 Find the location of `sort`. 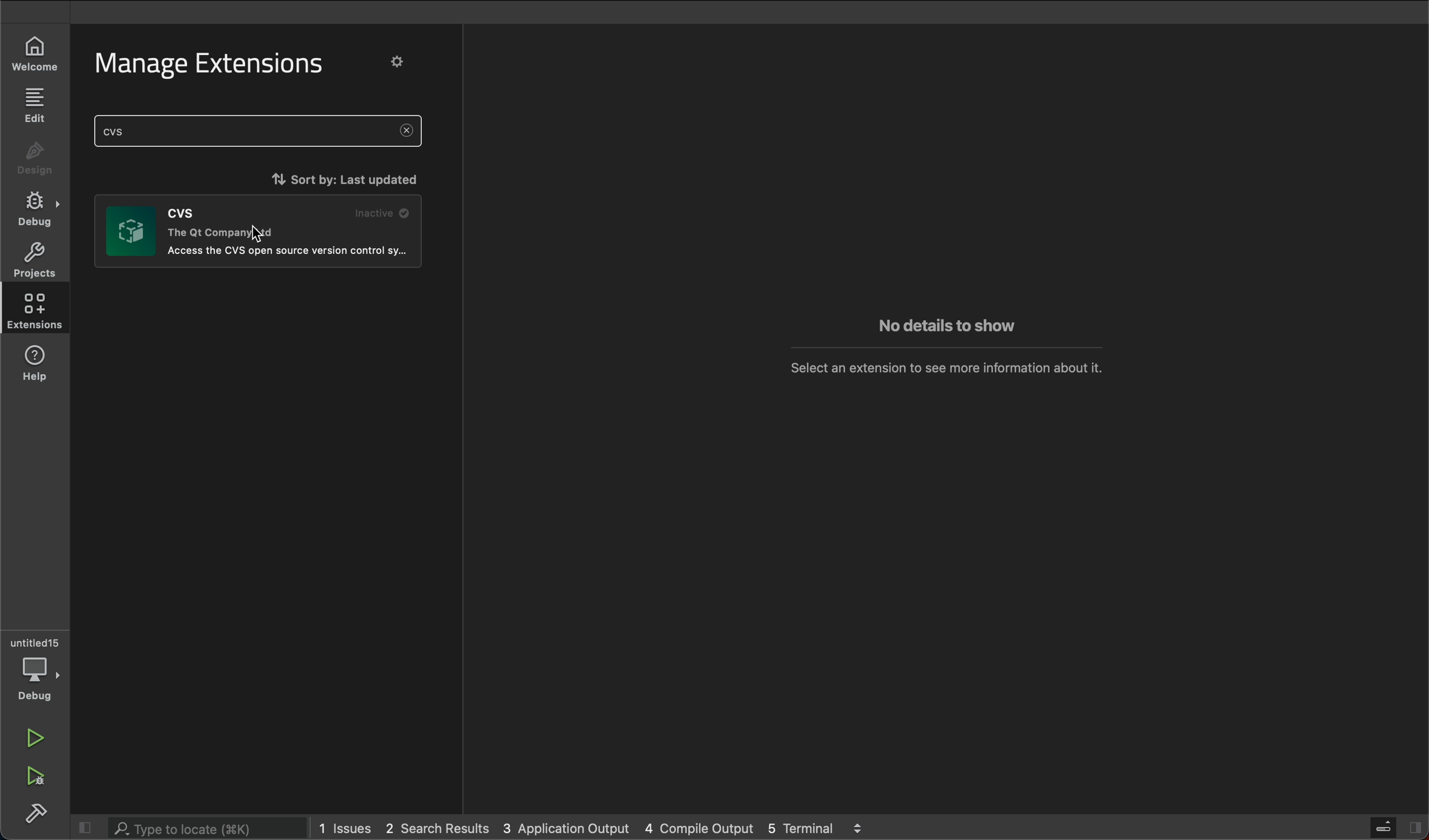

sort is located at coordinates (338, 177).